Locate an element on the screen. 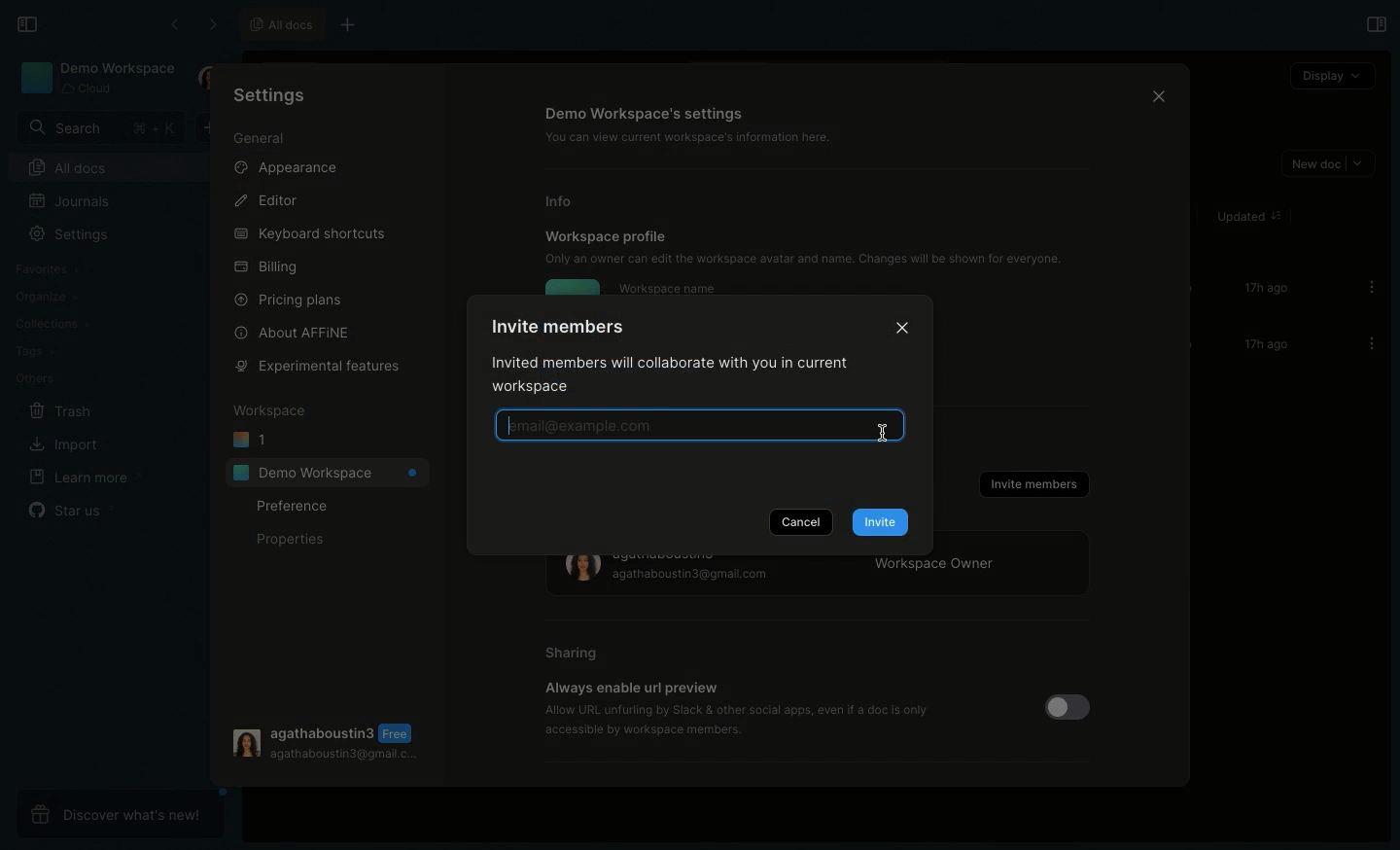  Import is located at coordinates (60, 443).